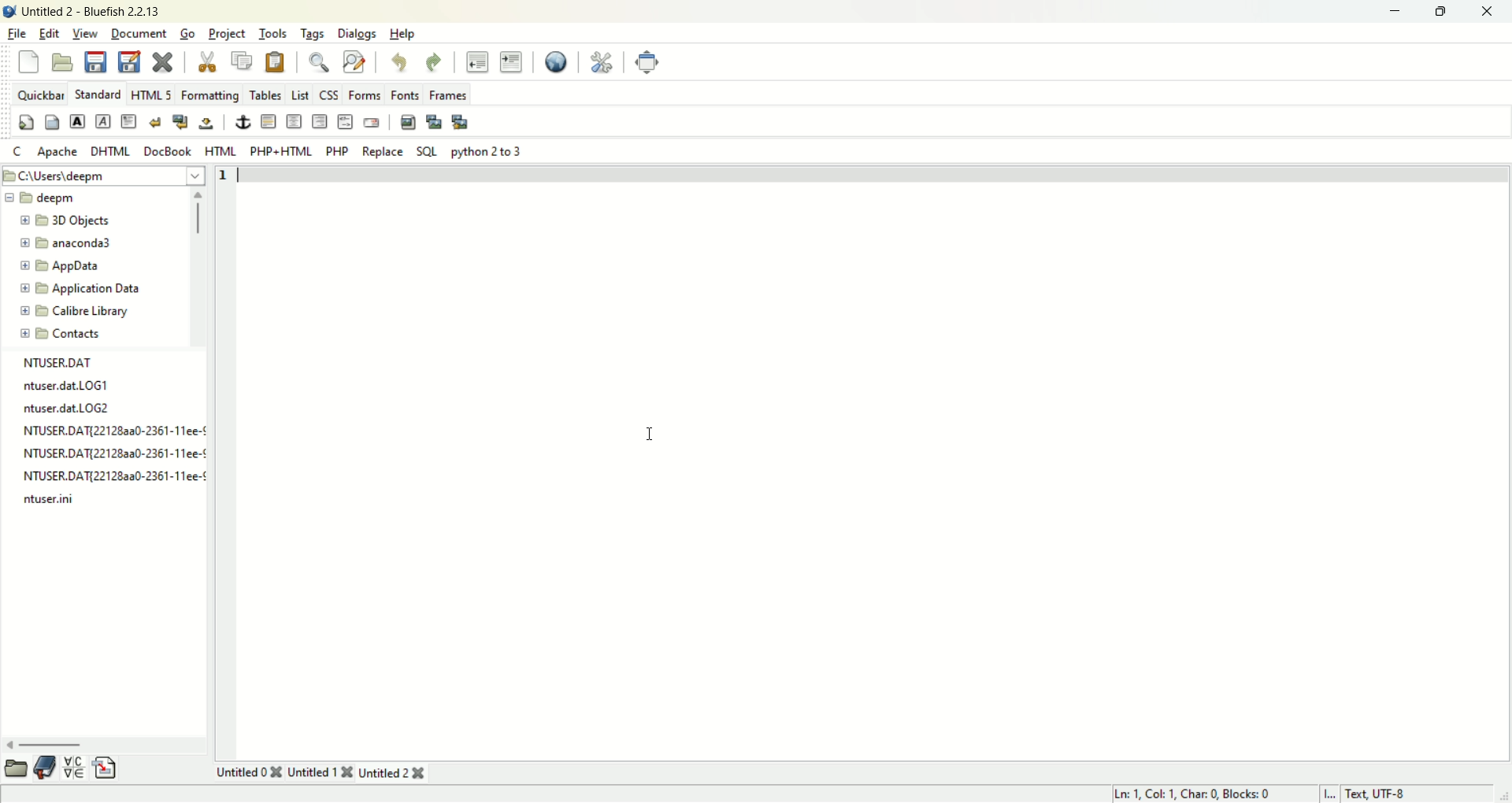  What do you see at coordinates (345, 122) in the screenshot?
I see `HTML comment` at bounding box center [345, 122].